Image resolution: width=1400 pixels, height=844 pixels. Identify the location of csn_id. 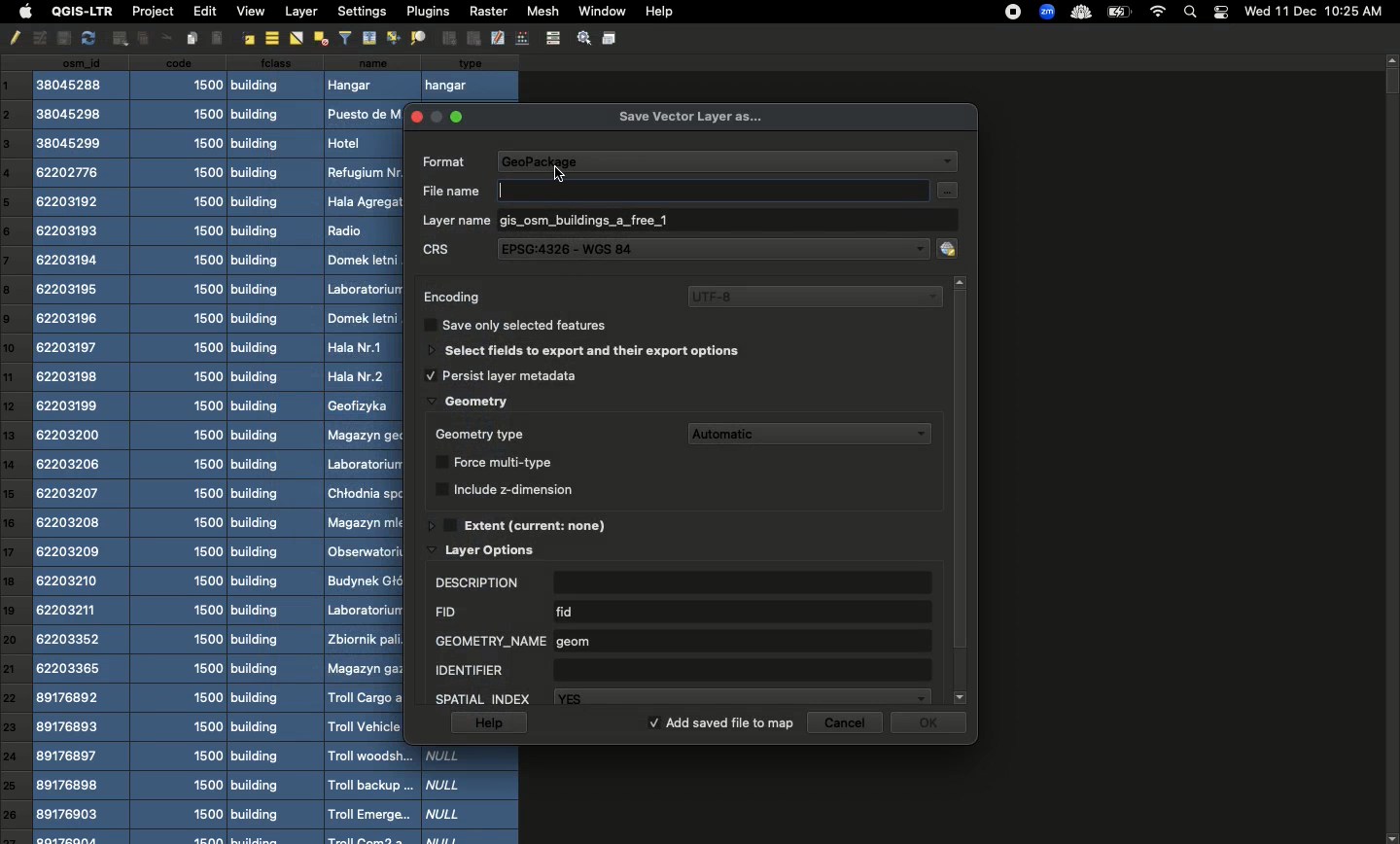
(82, 450).